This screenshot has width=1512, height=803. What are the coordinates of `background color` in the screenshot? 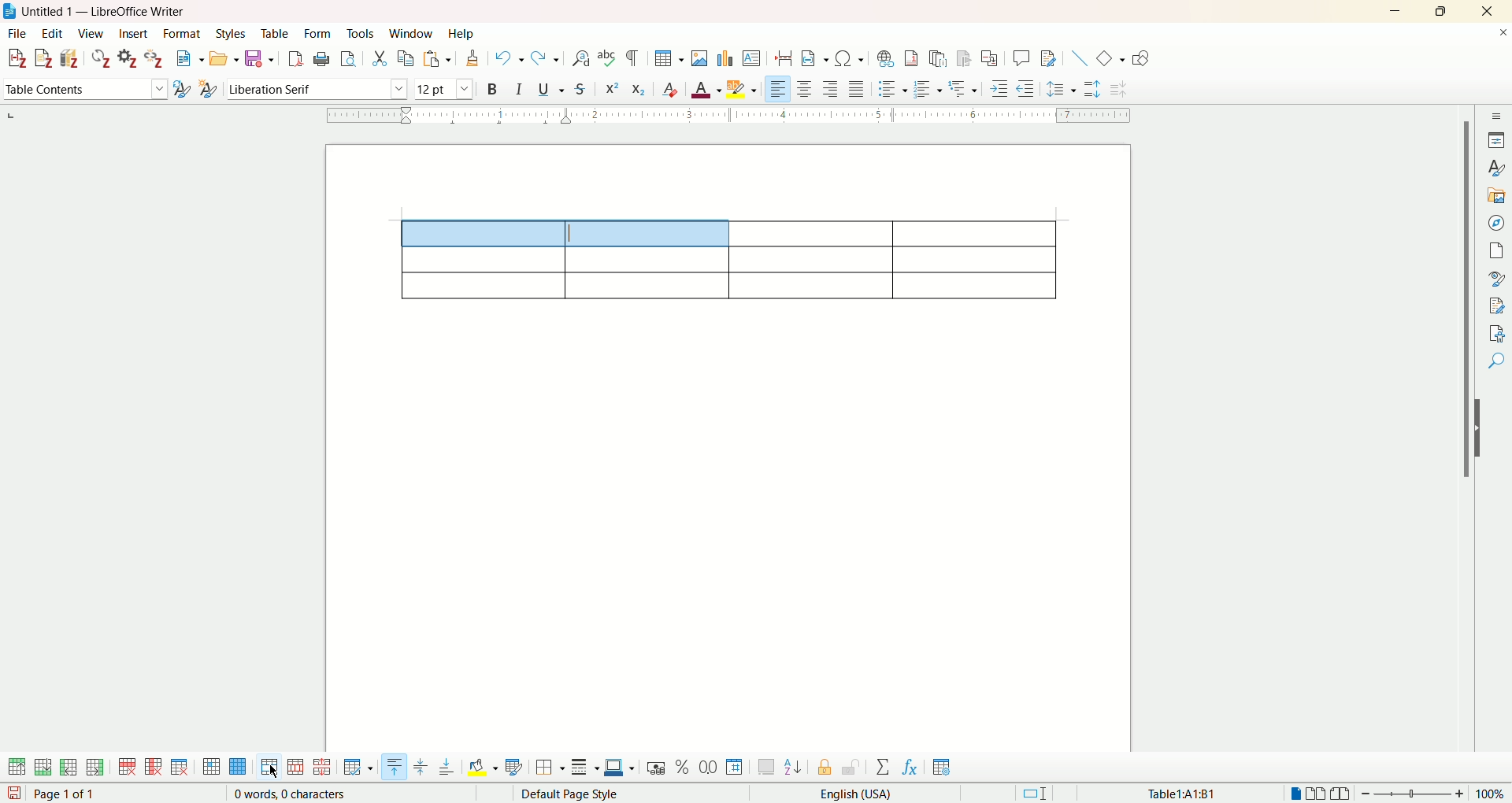 It's located at (484, 768).